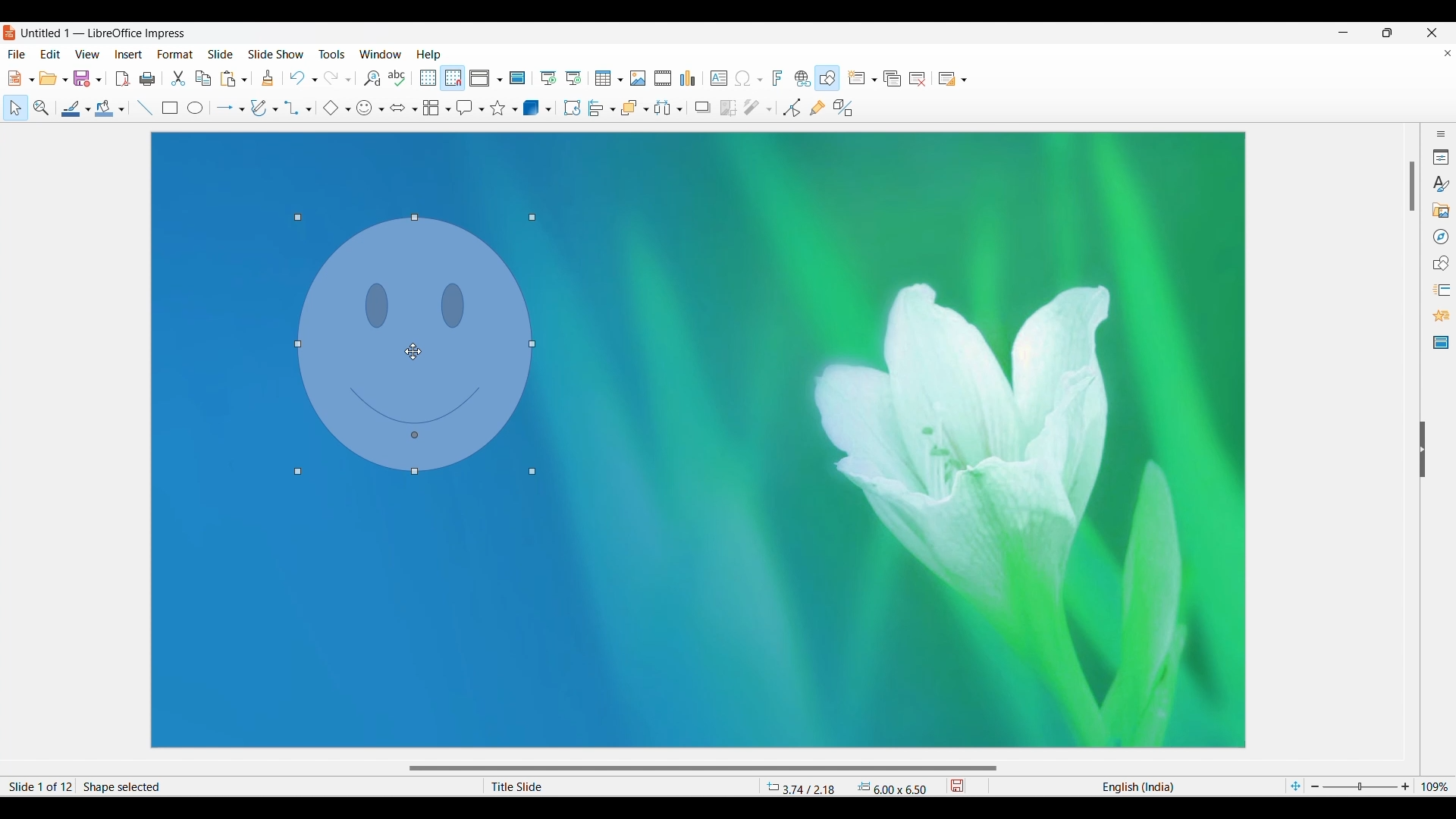 Image resolution: width=1456 pixels, height=819 pixels. I want to click on Insert textbox, so click(719, 79).